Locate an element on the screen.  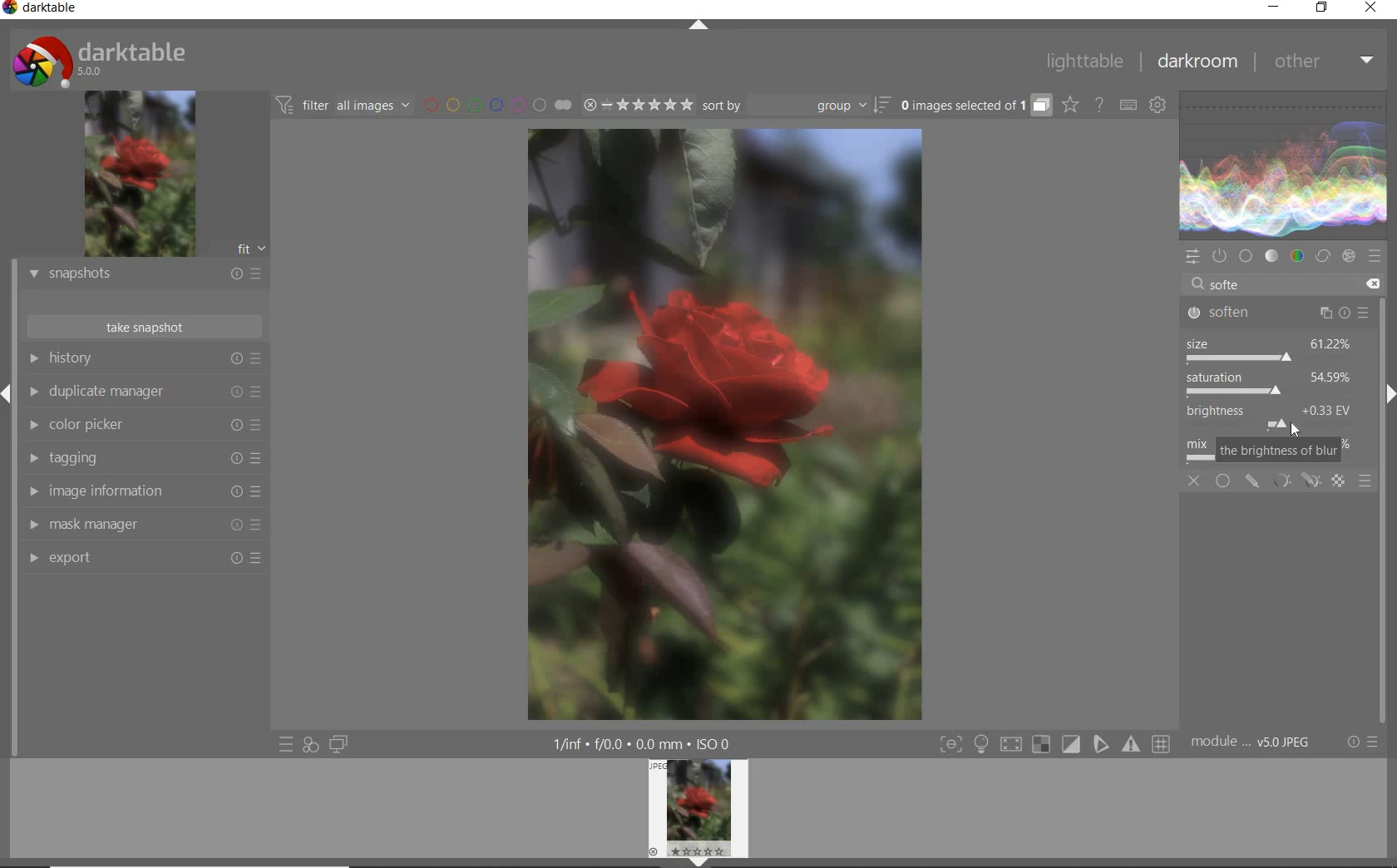
take snapshot is located at coordinates (144, 327).